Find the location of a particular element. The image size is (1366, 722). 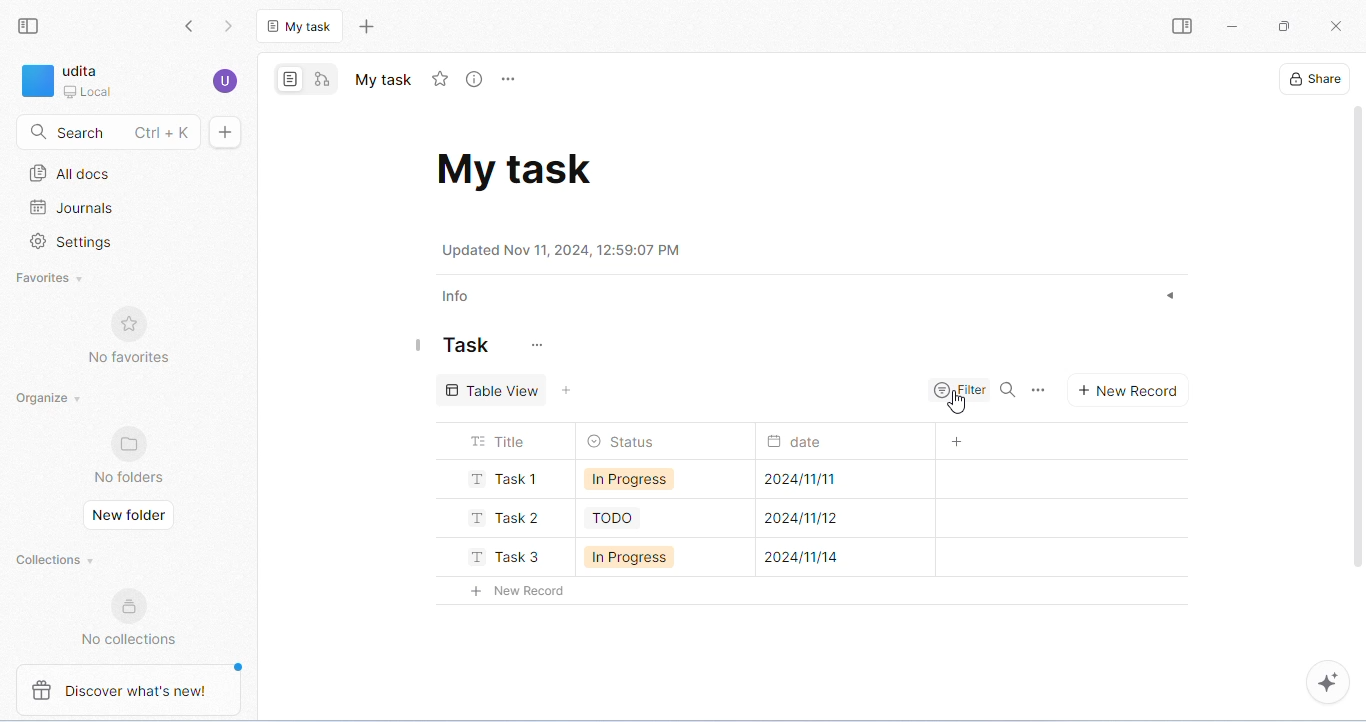

edgeless mode is located at coordinates (321, 79).